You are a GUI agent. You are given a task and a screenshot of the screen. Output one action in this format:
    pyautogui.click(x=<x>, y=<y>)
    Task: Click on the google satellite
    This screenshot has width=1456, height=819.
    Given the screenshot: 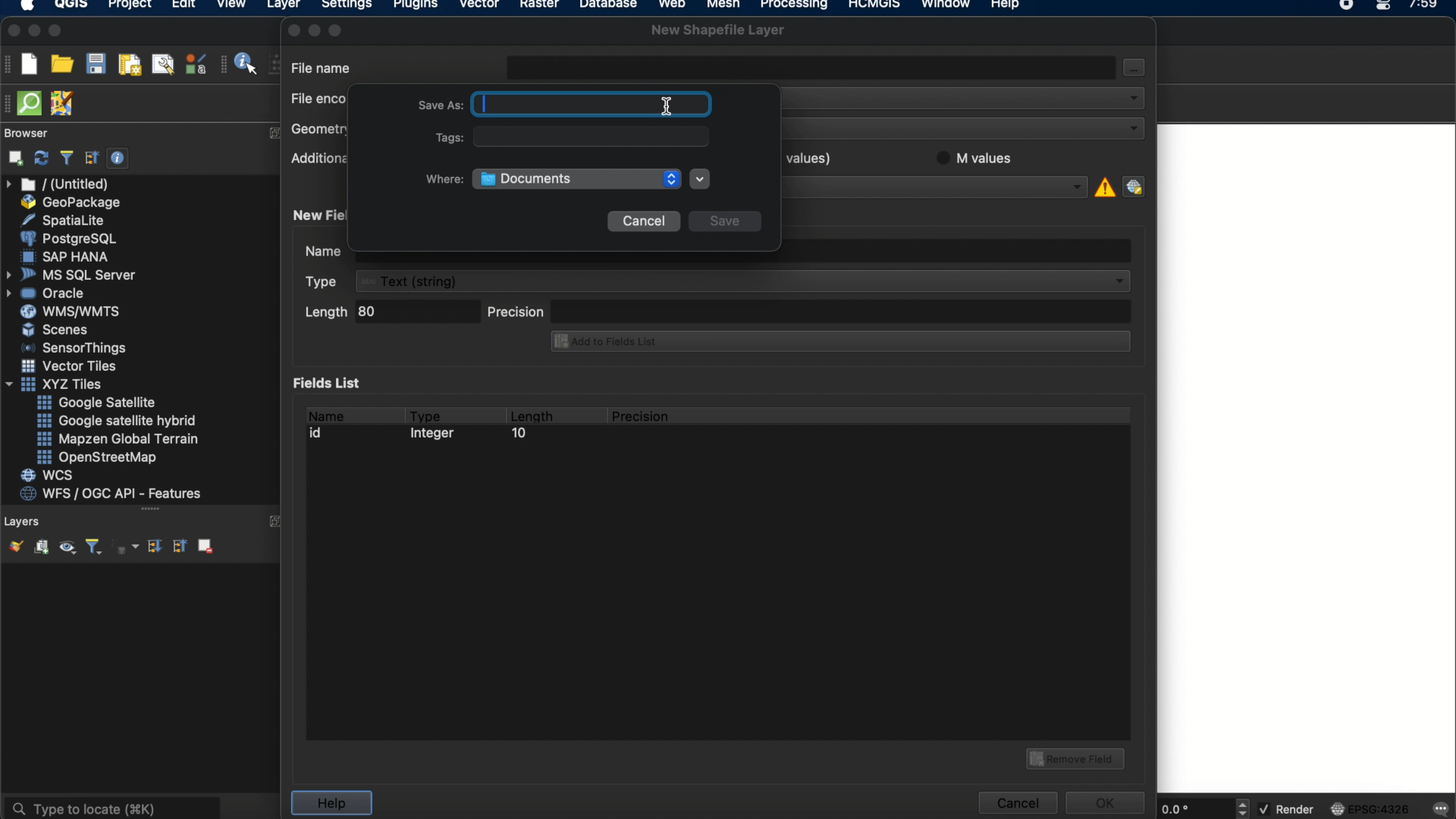 What is the action you would take?
    pyautogui.click(x=98, y=403)
    